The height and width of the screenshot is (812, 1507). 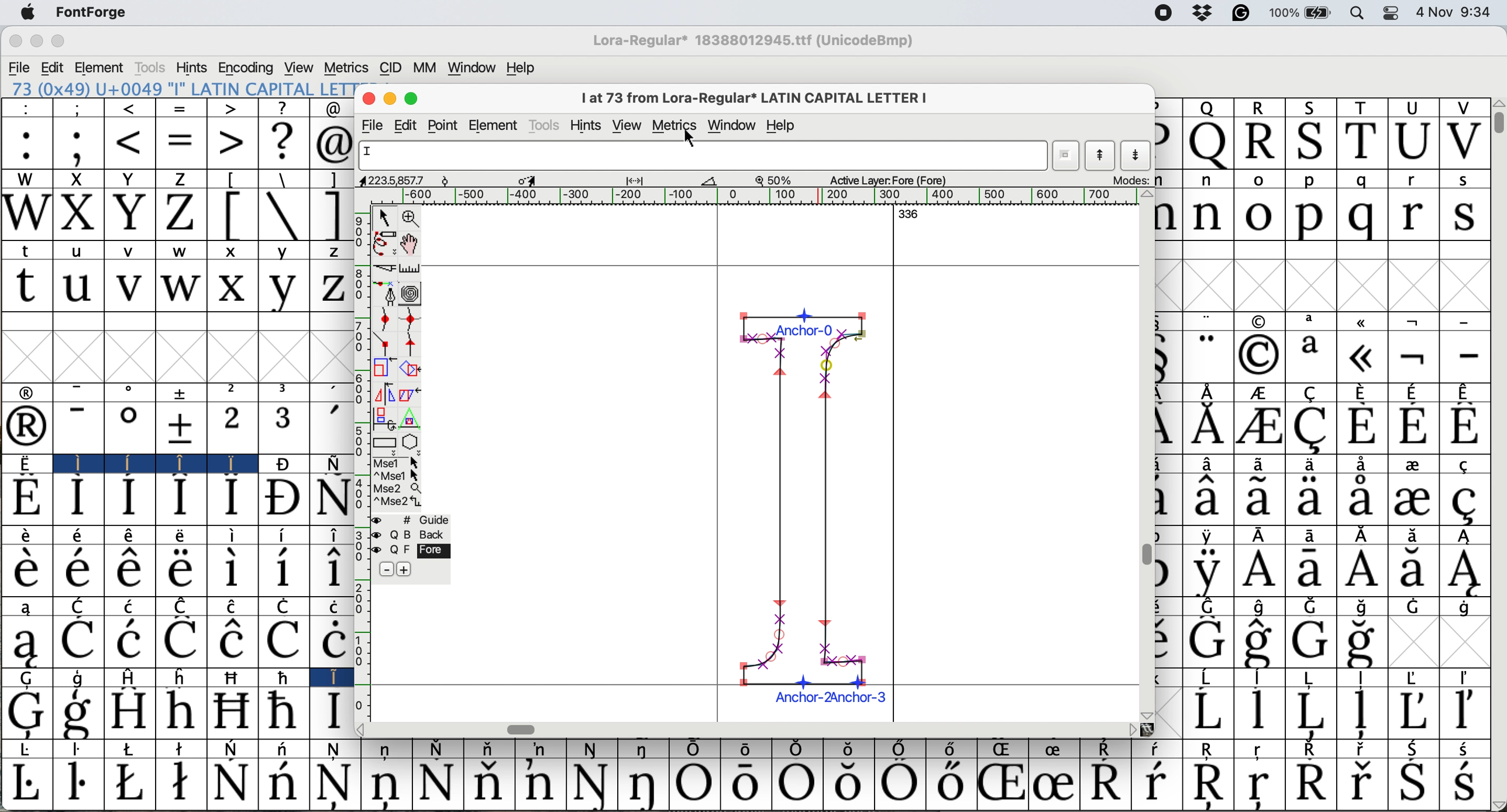 What do you see at coordinates (1360, 426) in the screenshot?
I see `Symbol` at bounding box center [1360, 426].